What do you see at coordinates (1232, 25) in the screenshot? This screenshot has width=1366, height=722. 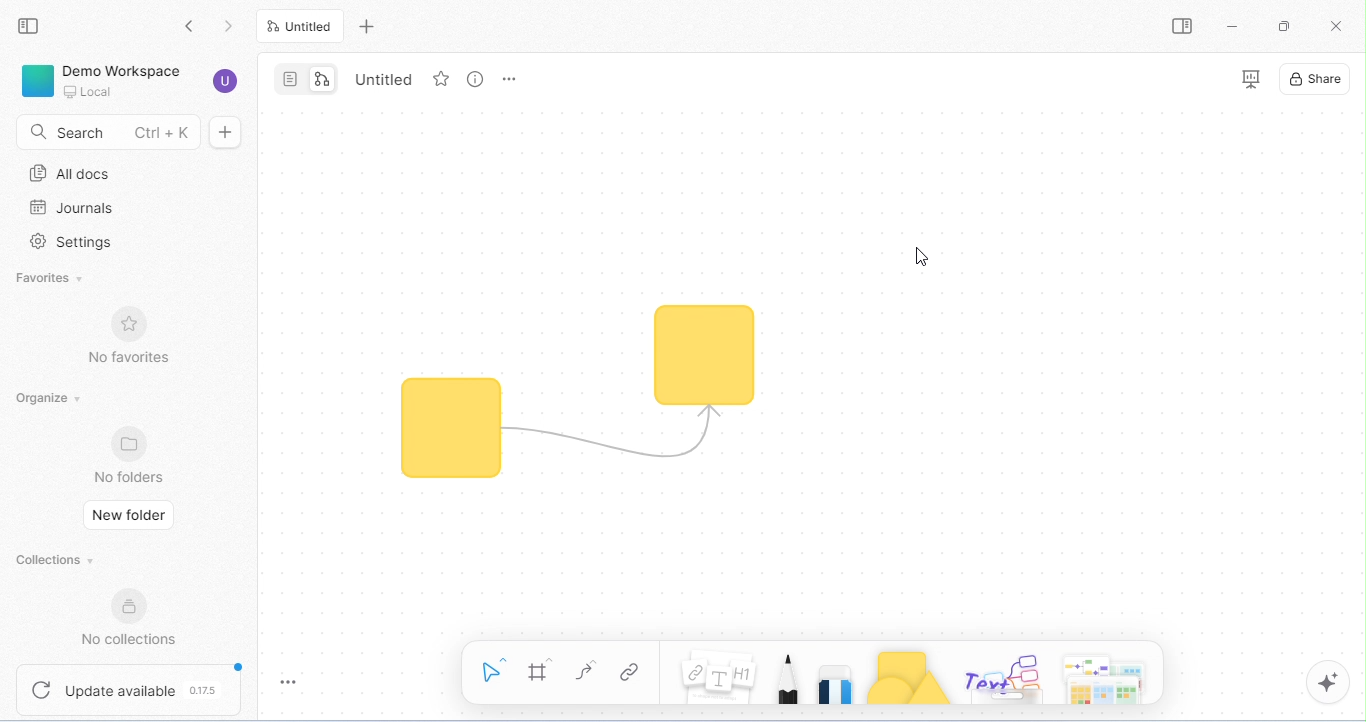 I see `minimize` at bounding box center [1232, 25].